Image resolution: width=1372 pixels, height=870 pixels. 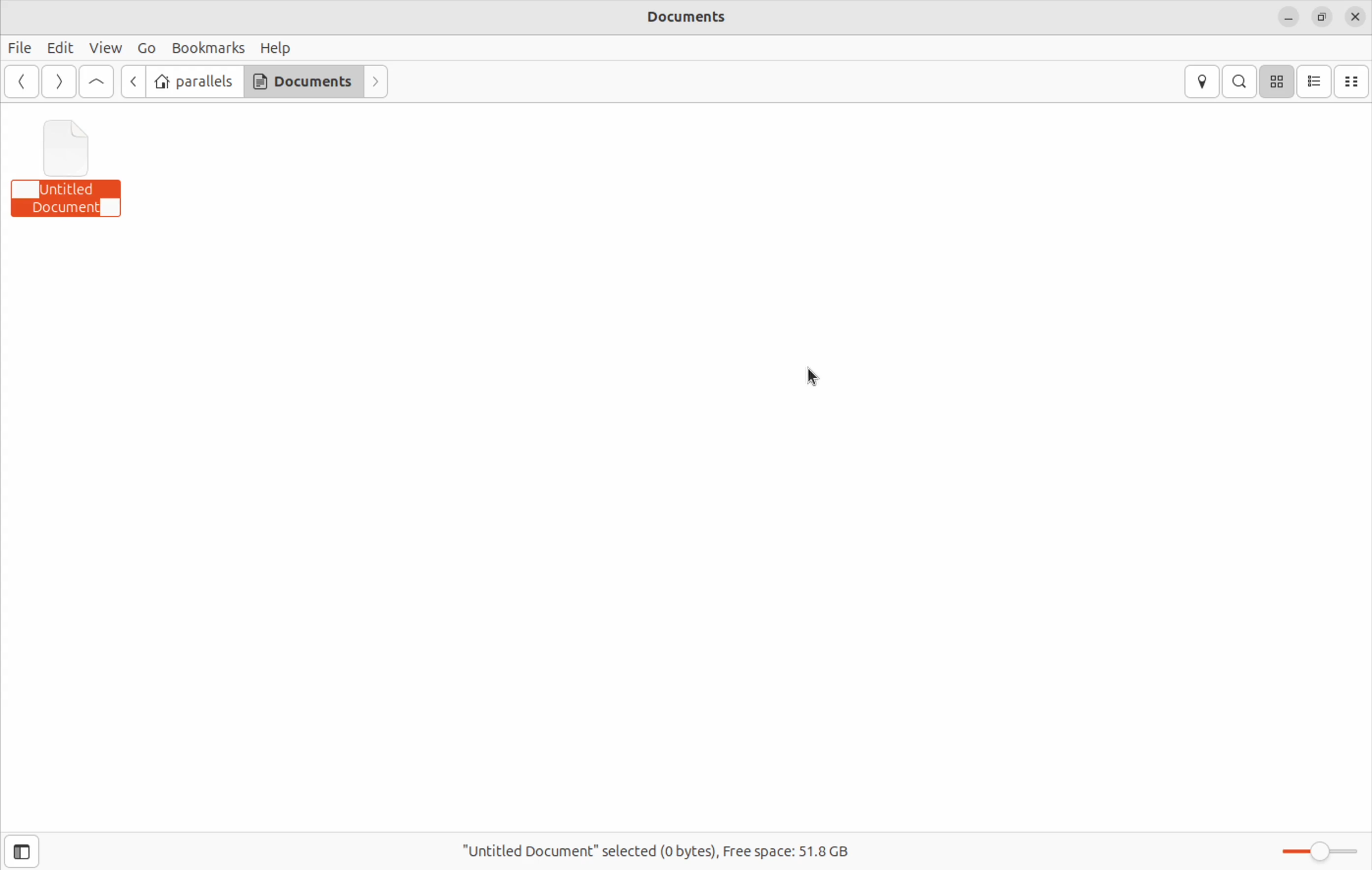 What do you see at coordinates (1288, 17) in the screenshot?
I see `minimize` at bounding box center [1288, 17].